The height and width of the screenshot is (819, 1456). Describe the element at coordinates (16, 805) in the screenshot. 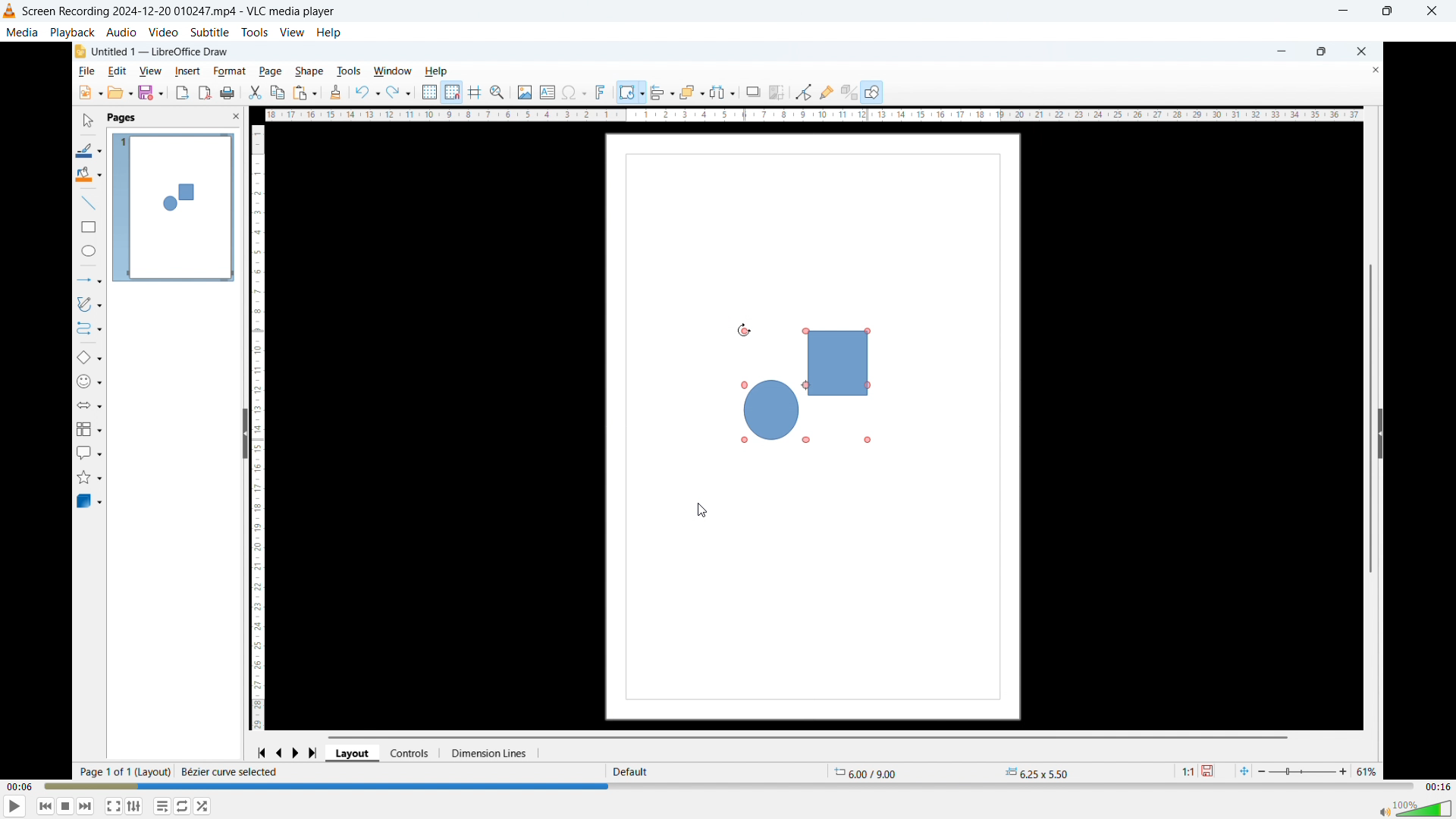

I see `play ` at that location.